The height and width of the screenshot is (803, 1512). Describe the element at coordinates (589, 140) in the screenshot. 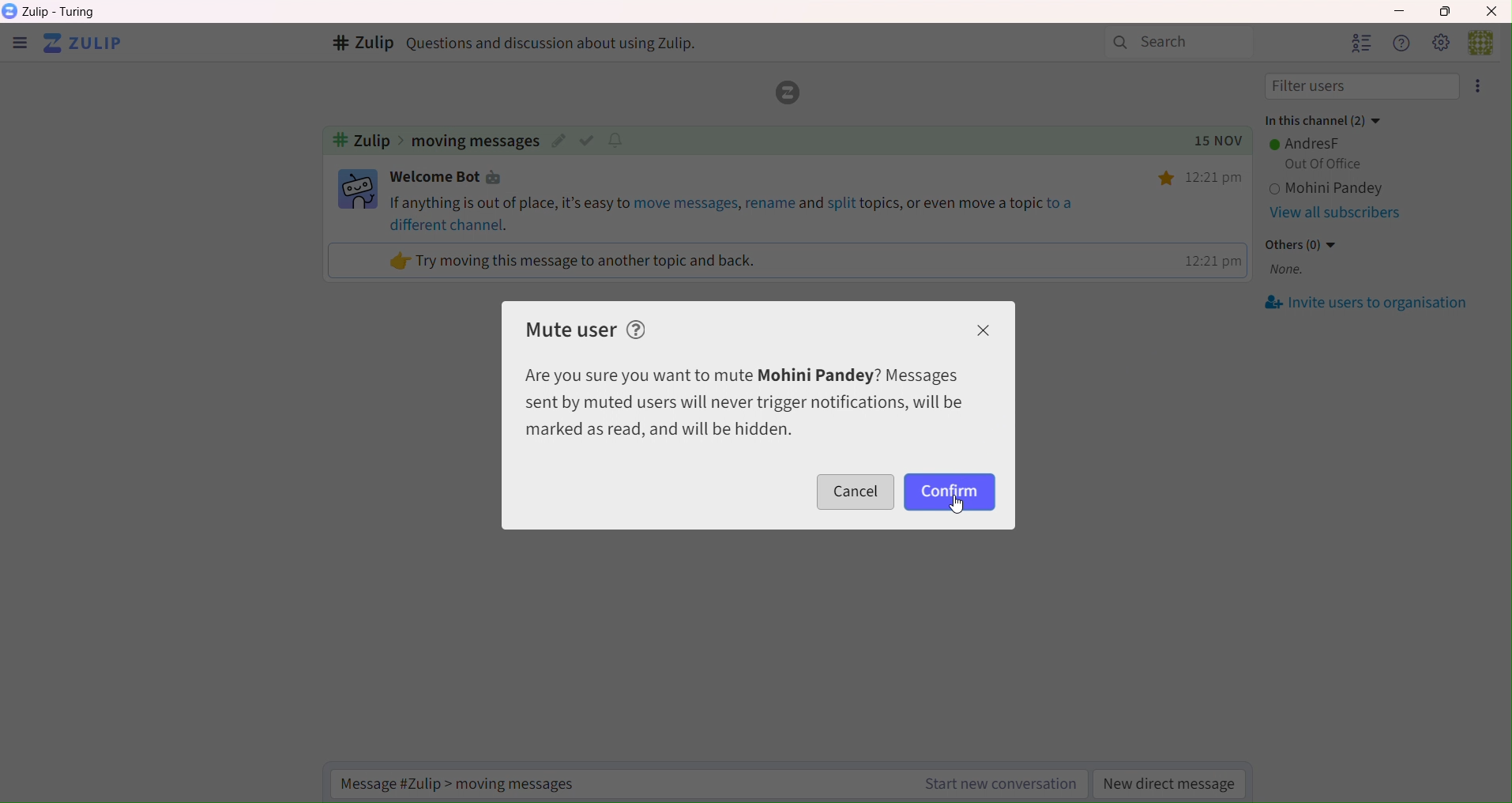

I see `mark` at that location.